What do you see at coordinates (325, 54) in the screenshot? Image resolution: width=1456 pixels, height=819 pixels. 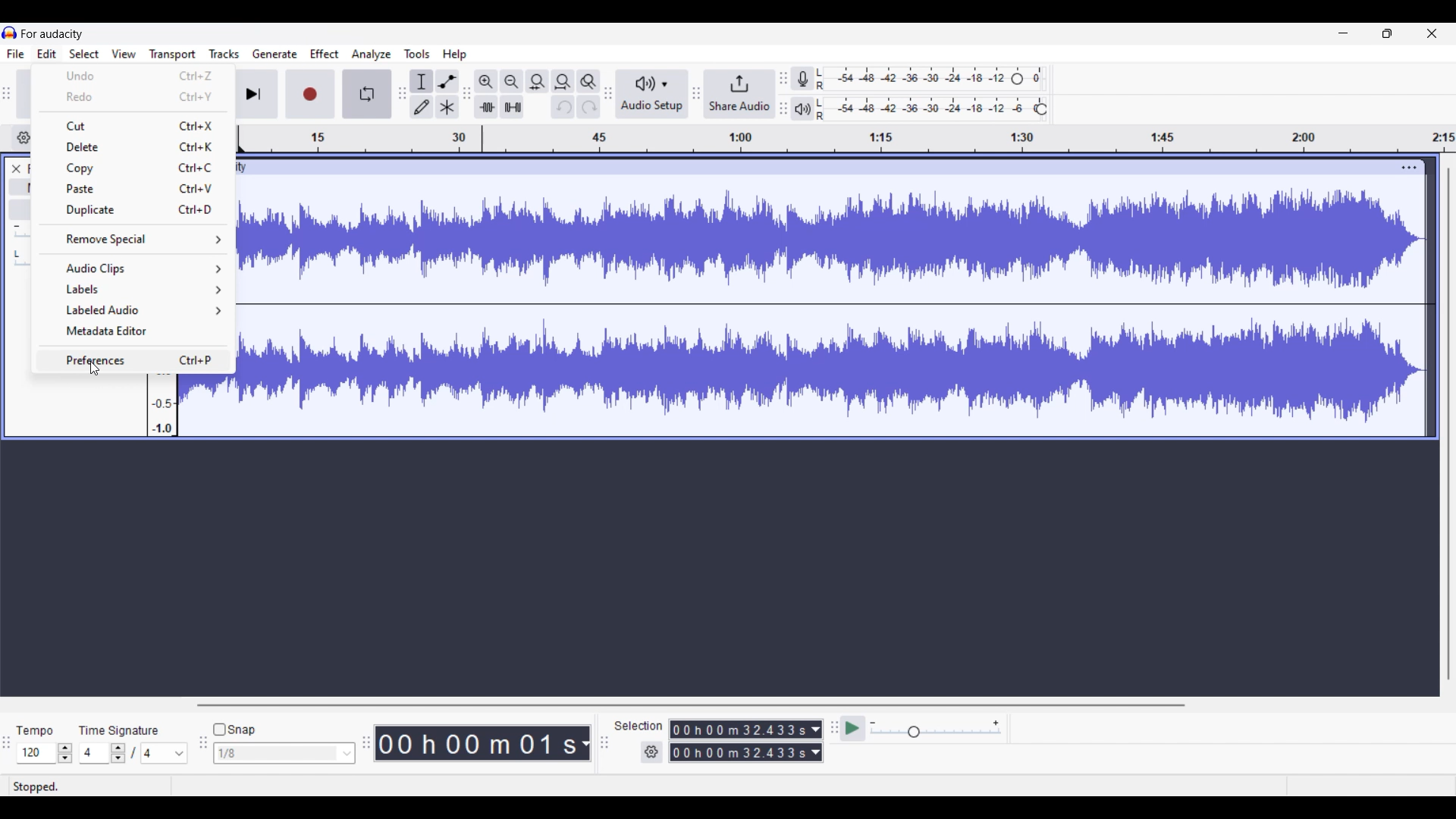 I see `Effect menu` at bounding box center [325, 54].